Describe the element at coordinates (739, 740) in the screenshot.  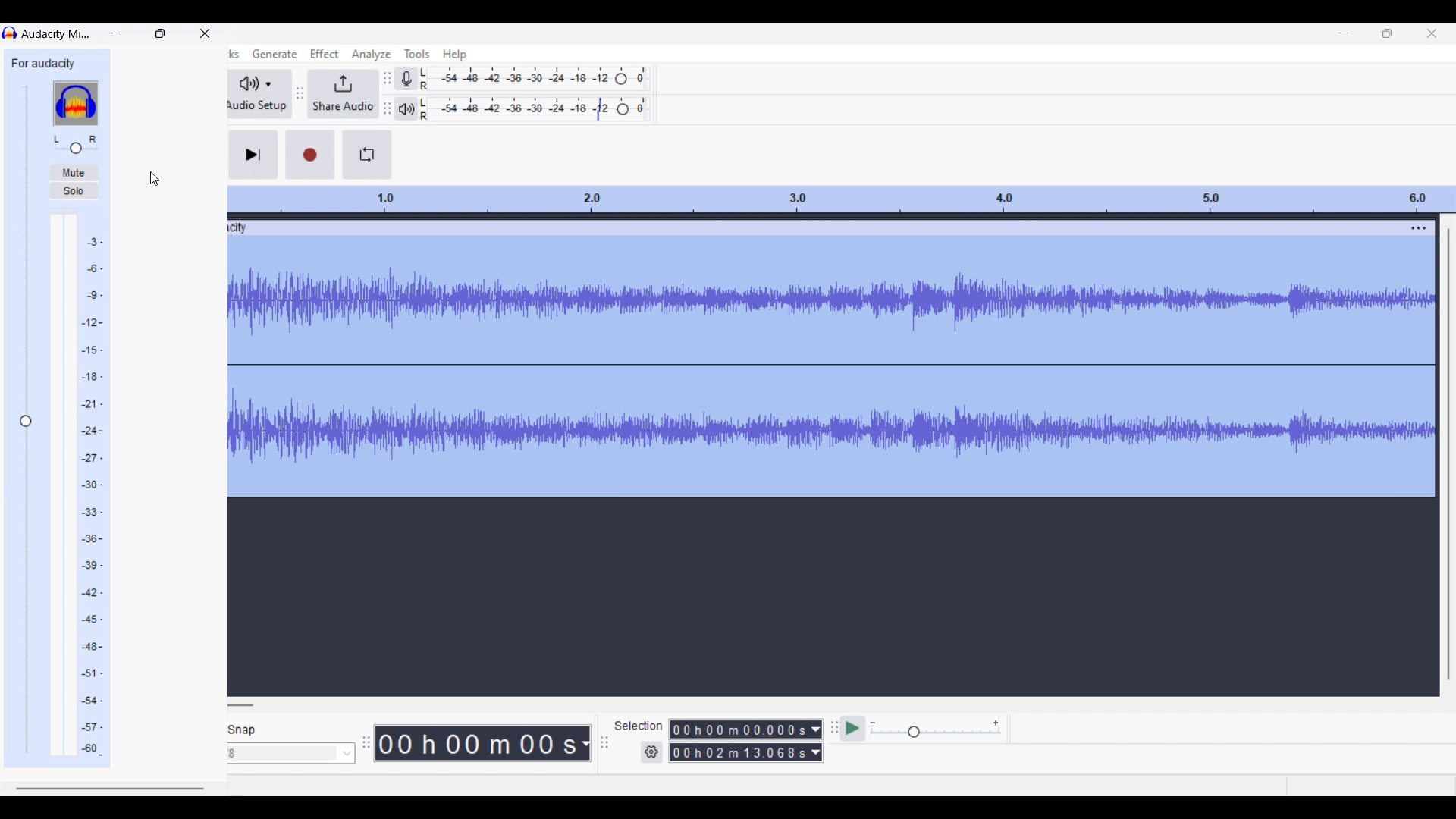
I see `Selection duration` at that location.